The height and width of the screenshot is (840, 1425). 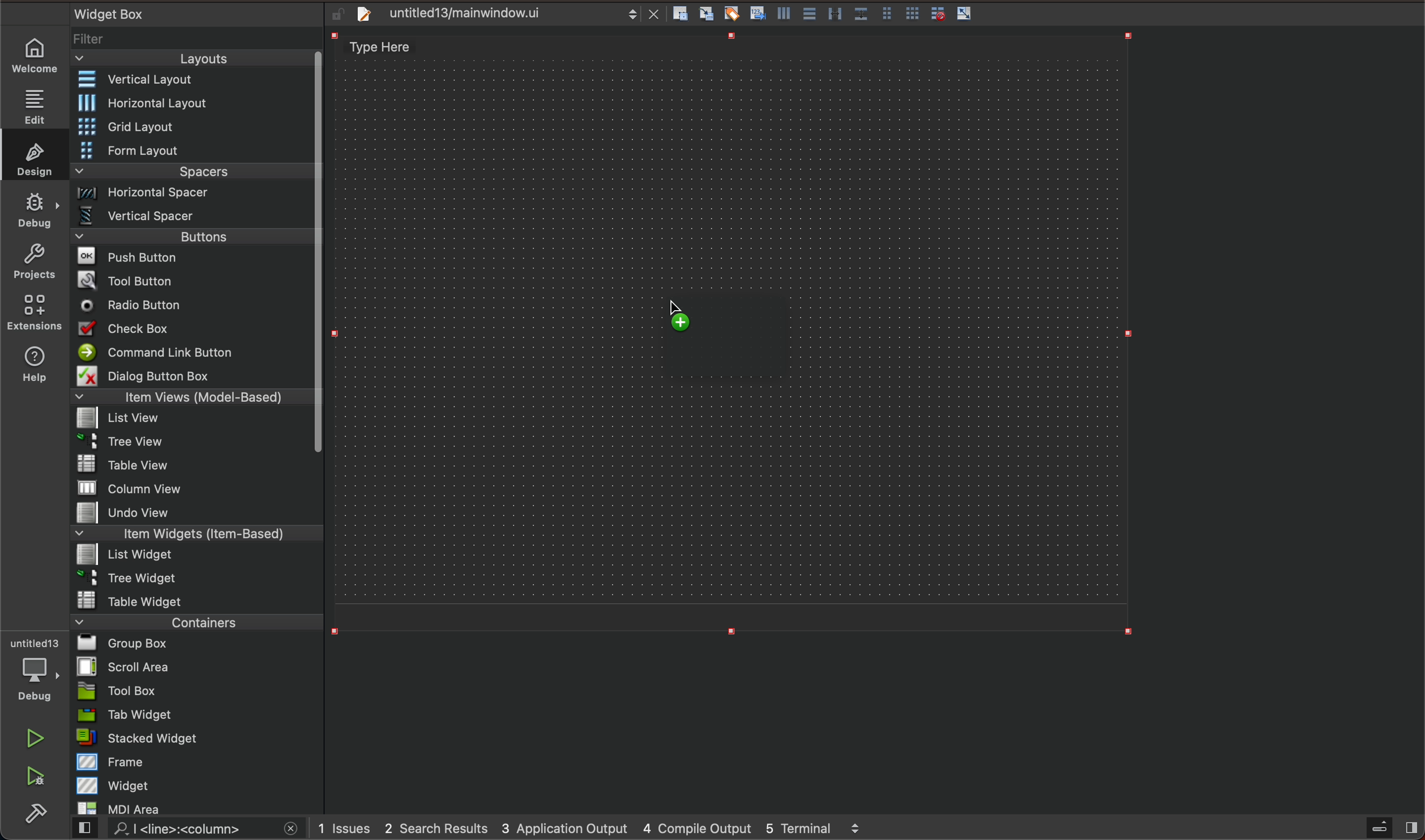 What do you see at coordinates (193, 278) in the screenshot?
I see `tool button` at bounding box center [193, 278].